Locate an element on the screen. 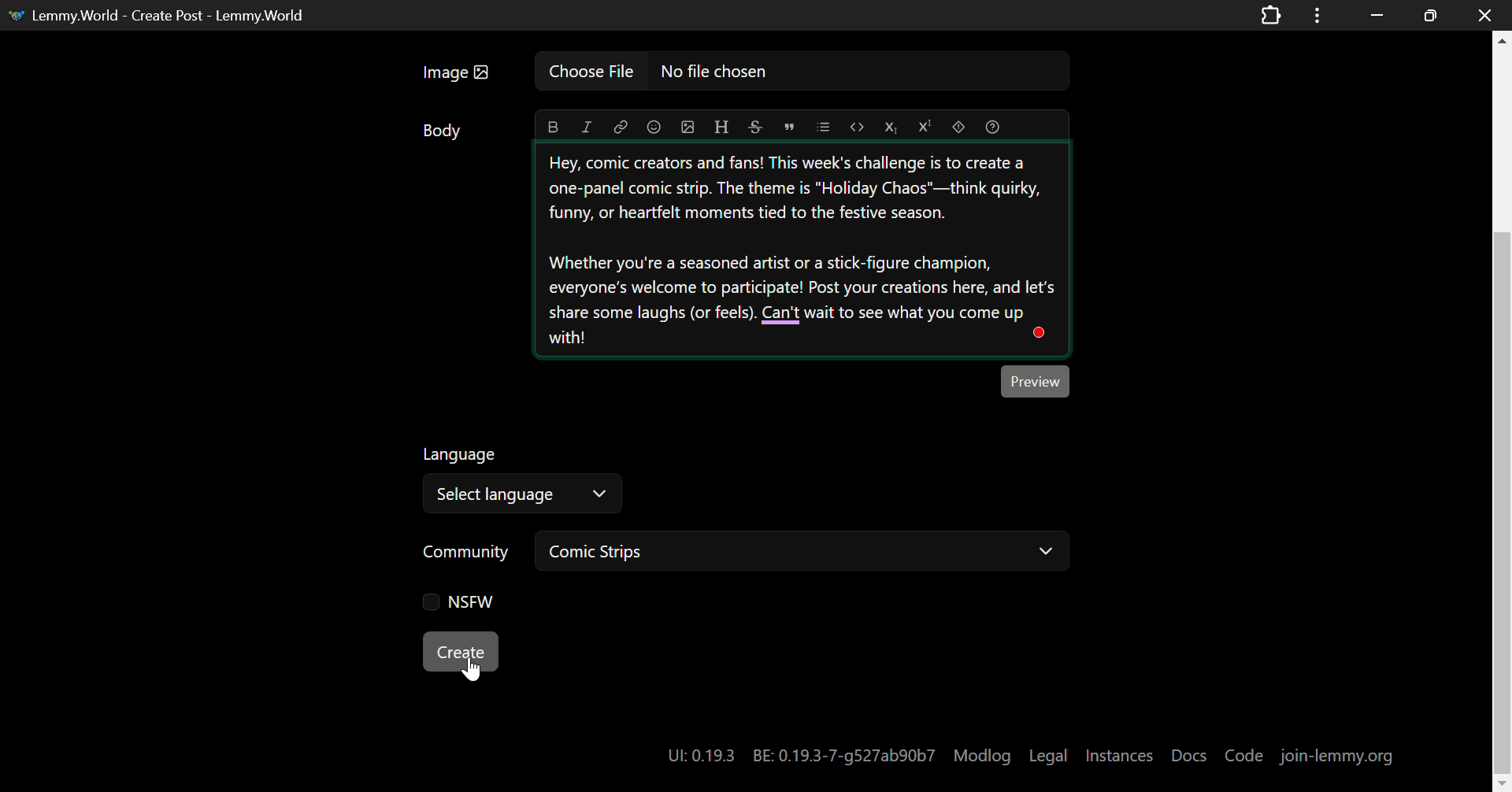 The image size is (1512, 792). Code is located at coordinates (1246, 754).